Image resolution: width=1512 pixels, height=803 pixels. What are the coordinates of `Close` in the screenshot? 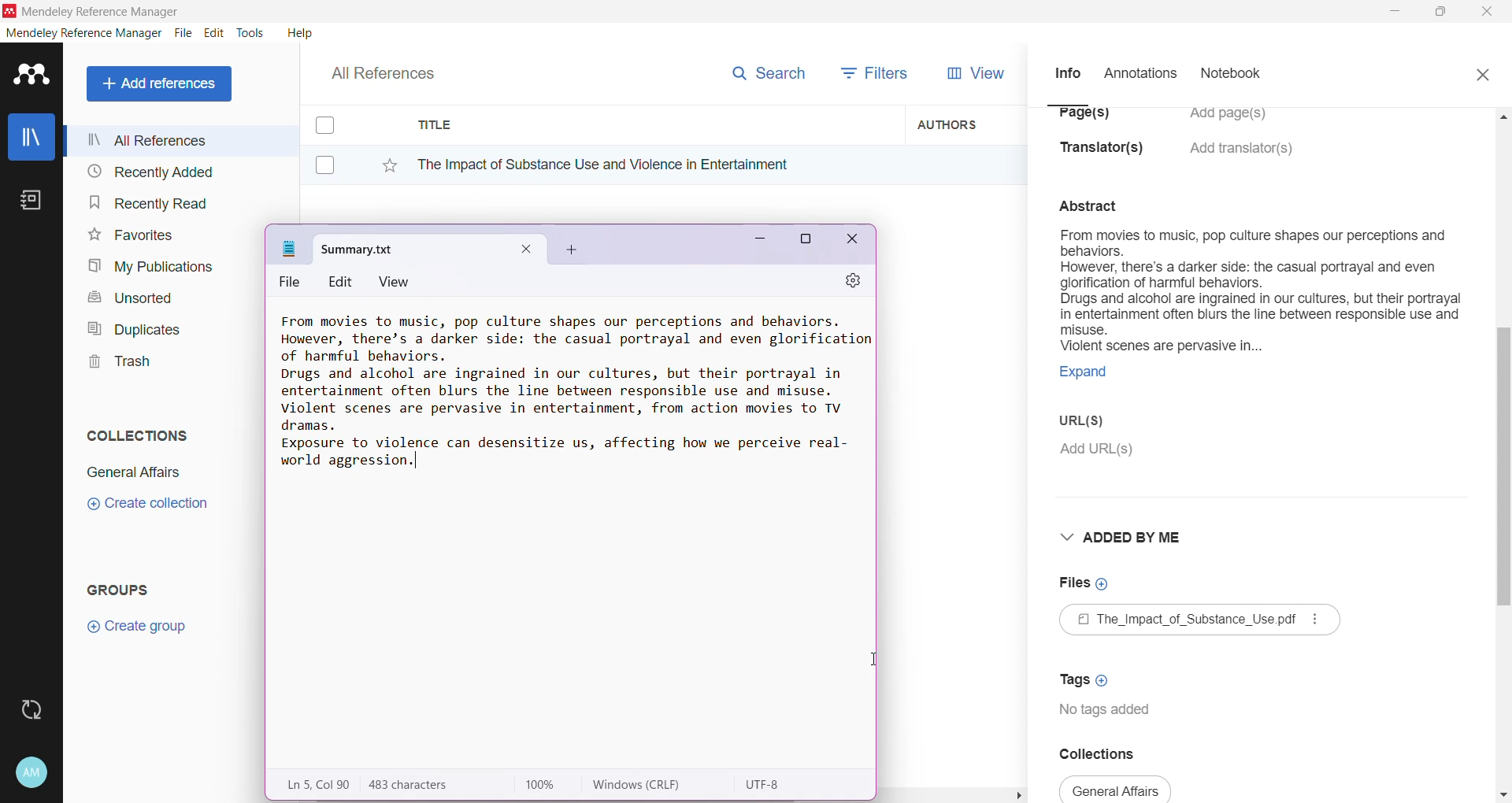 It's located at (1482, 72).